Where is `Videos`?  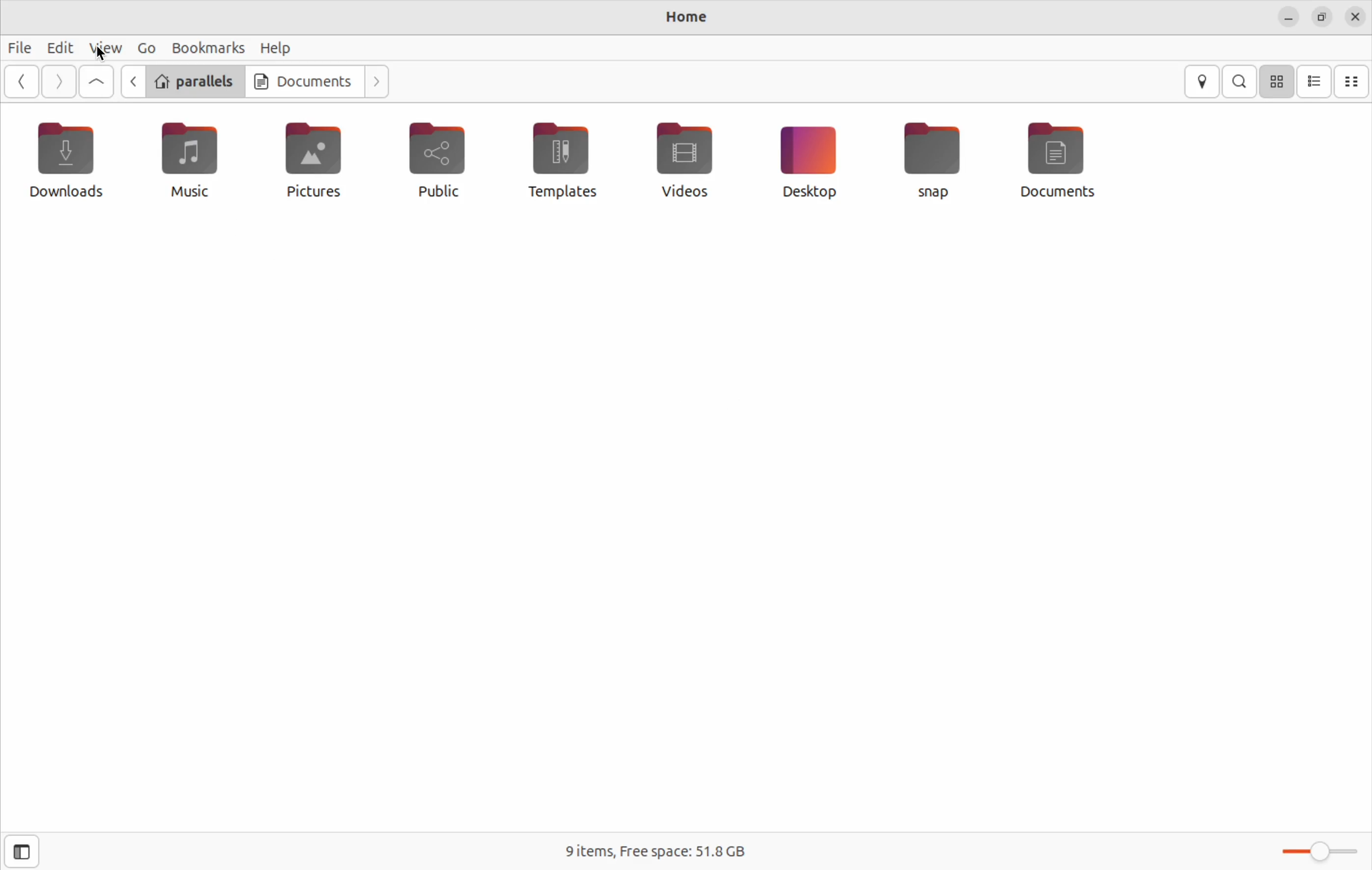
Videos is located at coordinates (682, 157).